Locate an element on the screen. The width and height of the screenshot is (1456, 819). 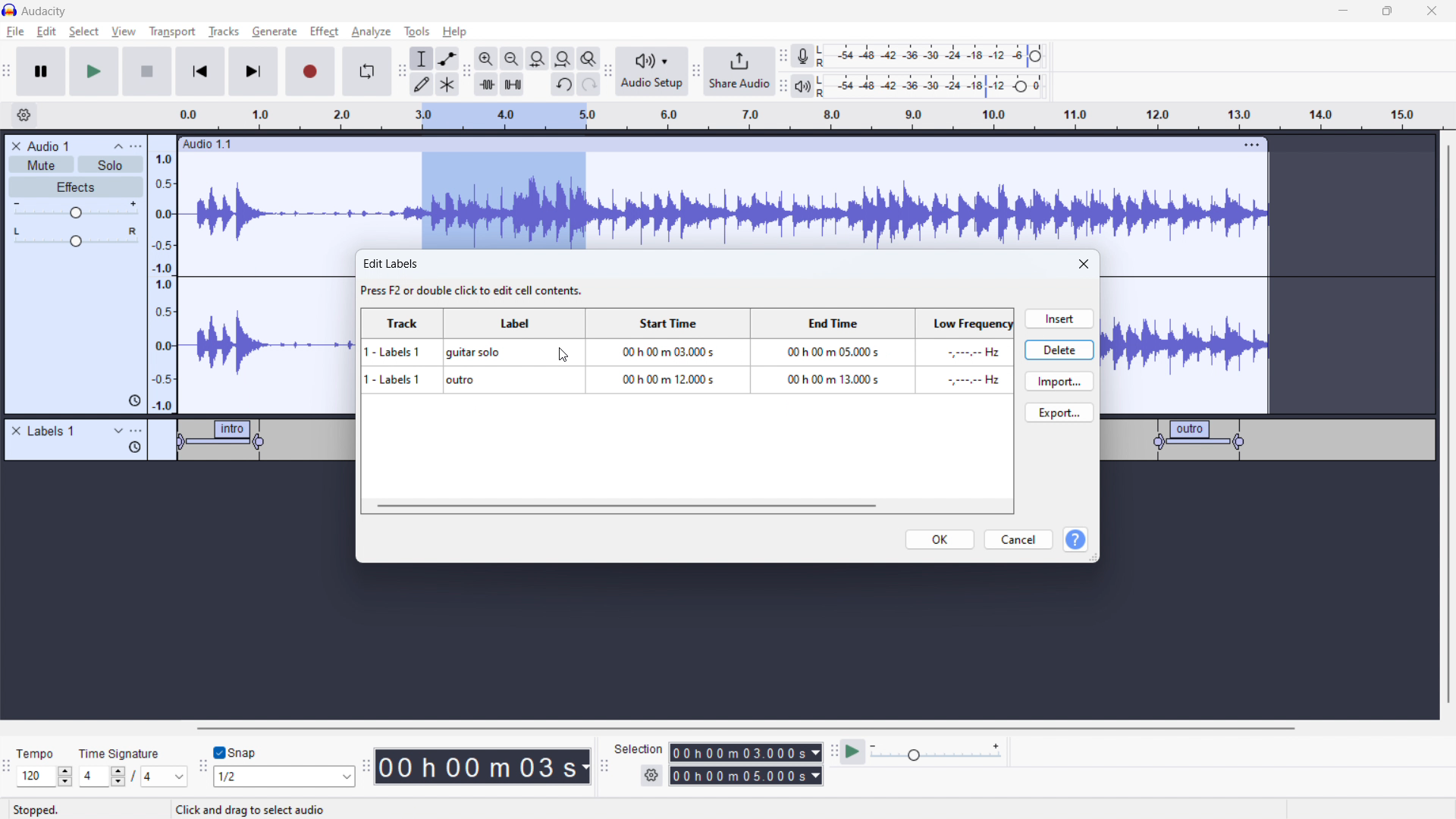
timeline settings is located at coordinates (24, 116).